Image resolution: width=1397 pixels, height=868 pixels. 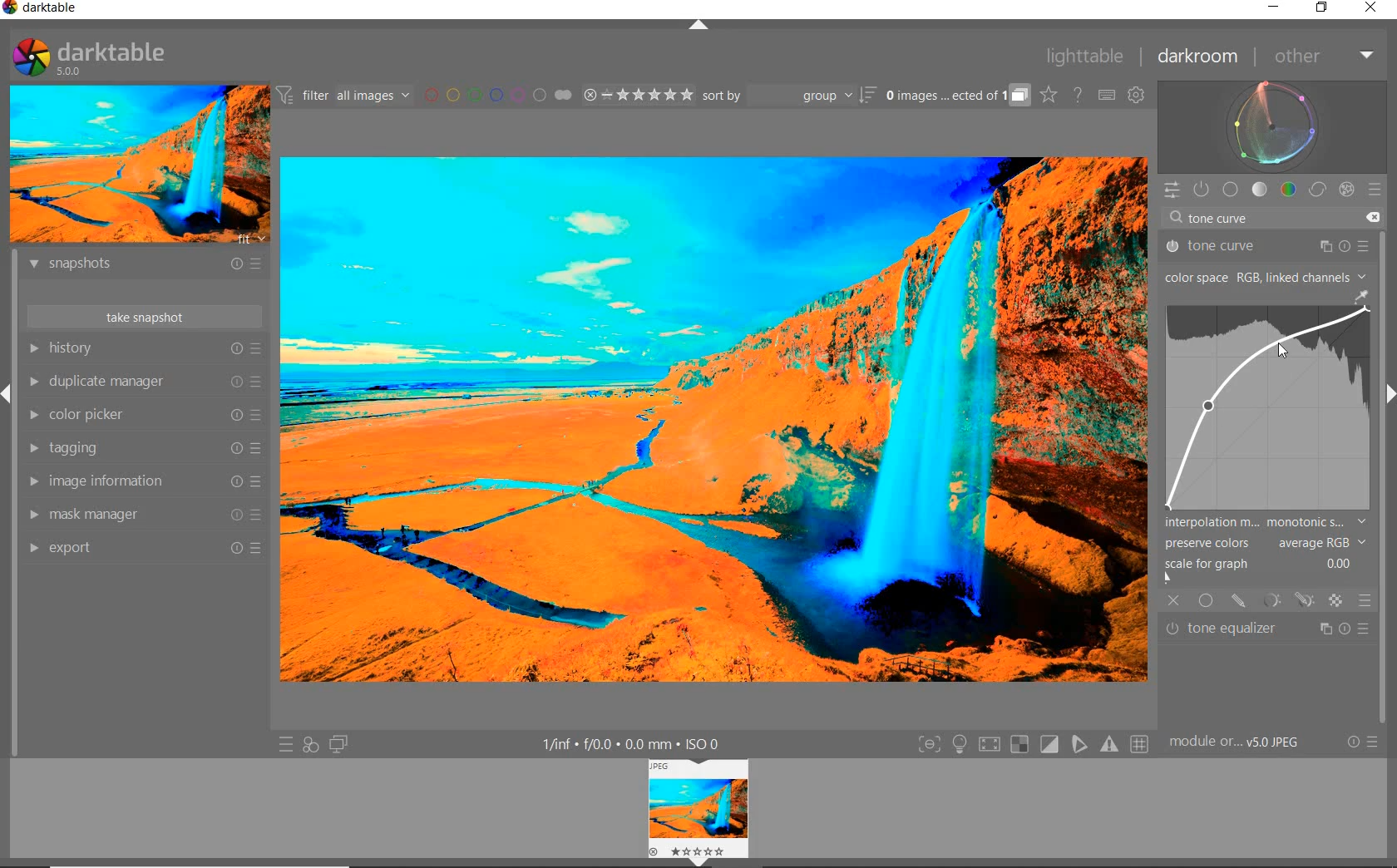 What do you see at coordinates (1267, 220) in the screenshot?
I see `tone curve` at bounding box center [1267, 220].